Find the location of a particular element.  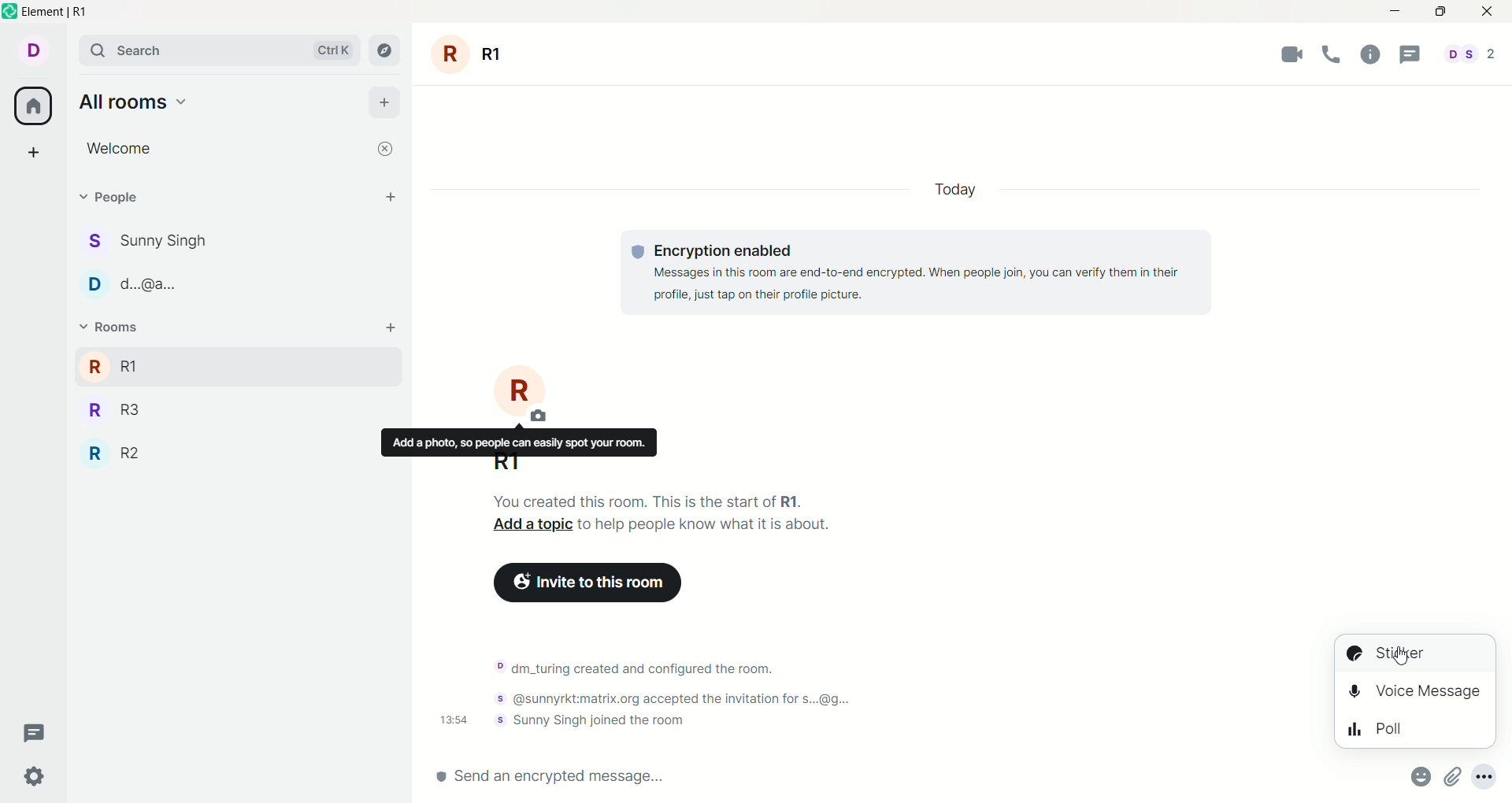

Text is located at coordinates (648, 501).